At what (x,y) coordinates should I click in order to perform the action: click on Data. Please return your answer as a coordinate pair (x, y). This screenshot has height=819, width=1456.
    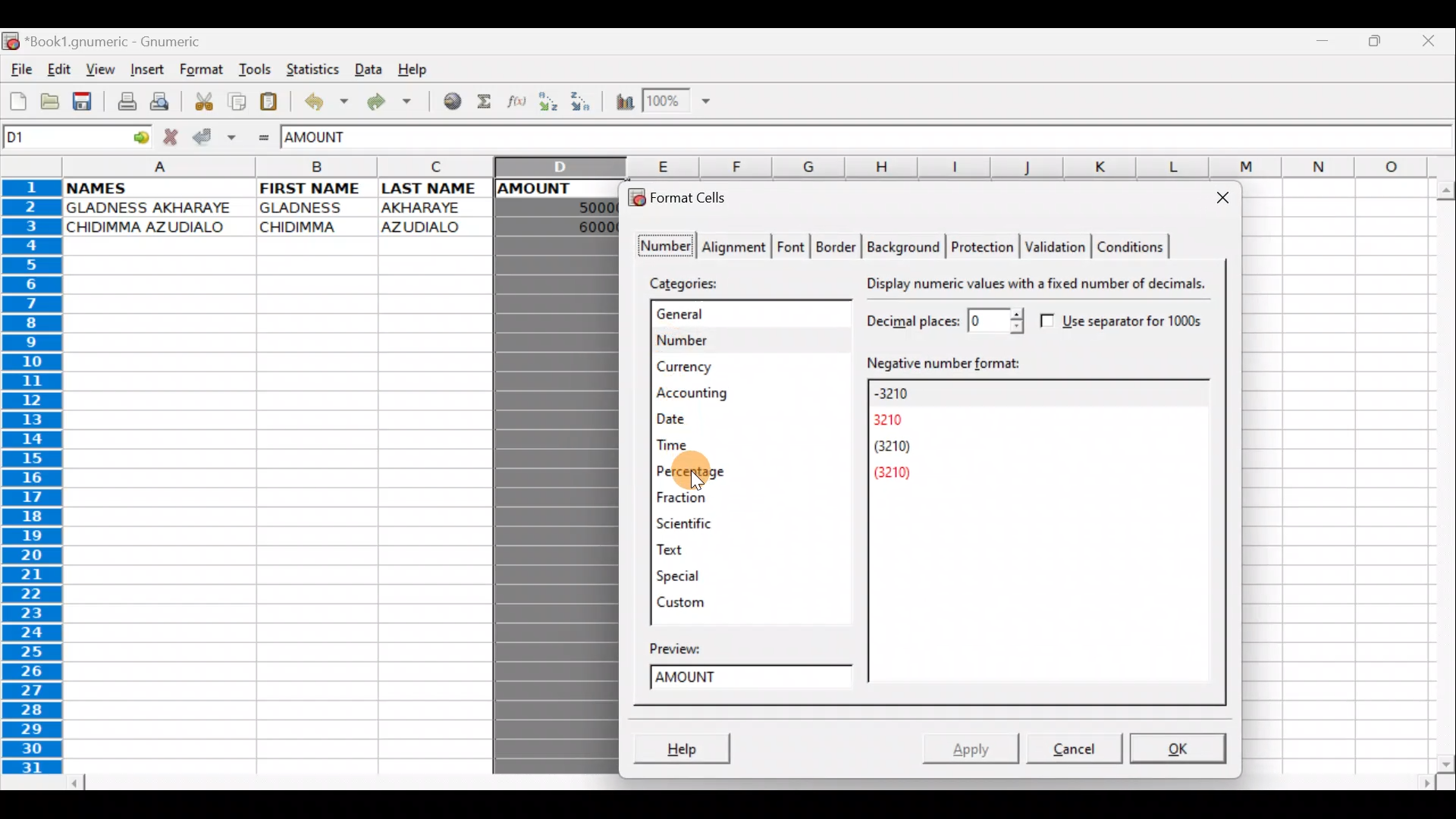
    Looking at the image, I should click on (368, 68).